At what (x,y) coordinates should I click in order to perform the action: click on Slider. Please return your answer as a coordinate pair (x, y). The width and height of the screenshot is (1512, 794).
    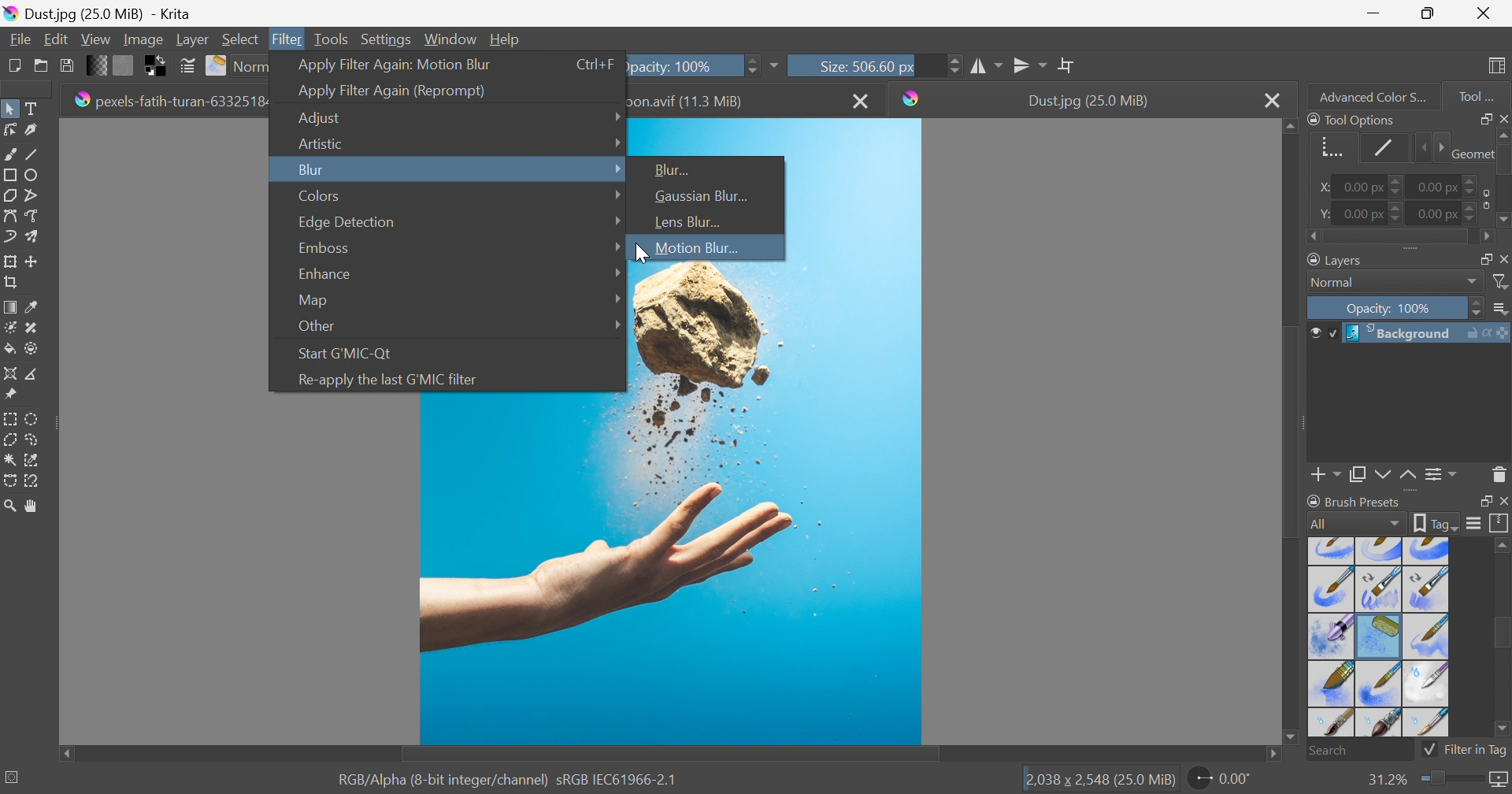
    Looking at the image, I should click on (1472, 181).